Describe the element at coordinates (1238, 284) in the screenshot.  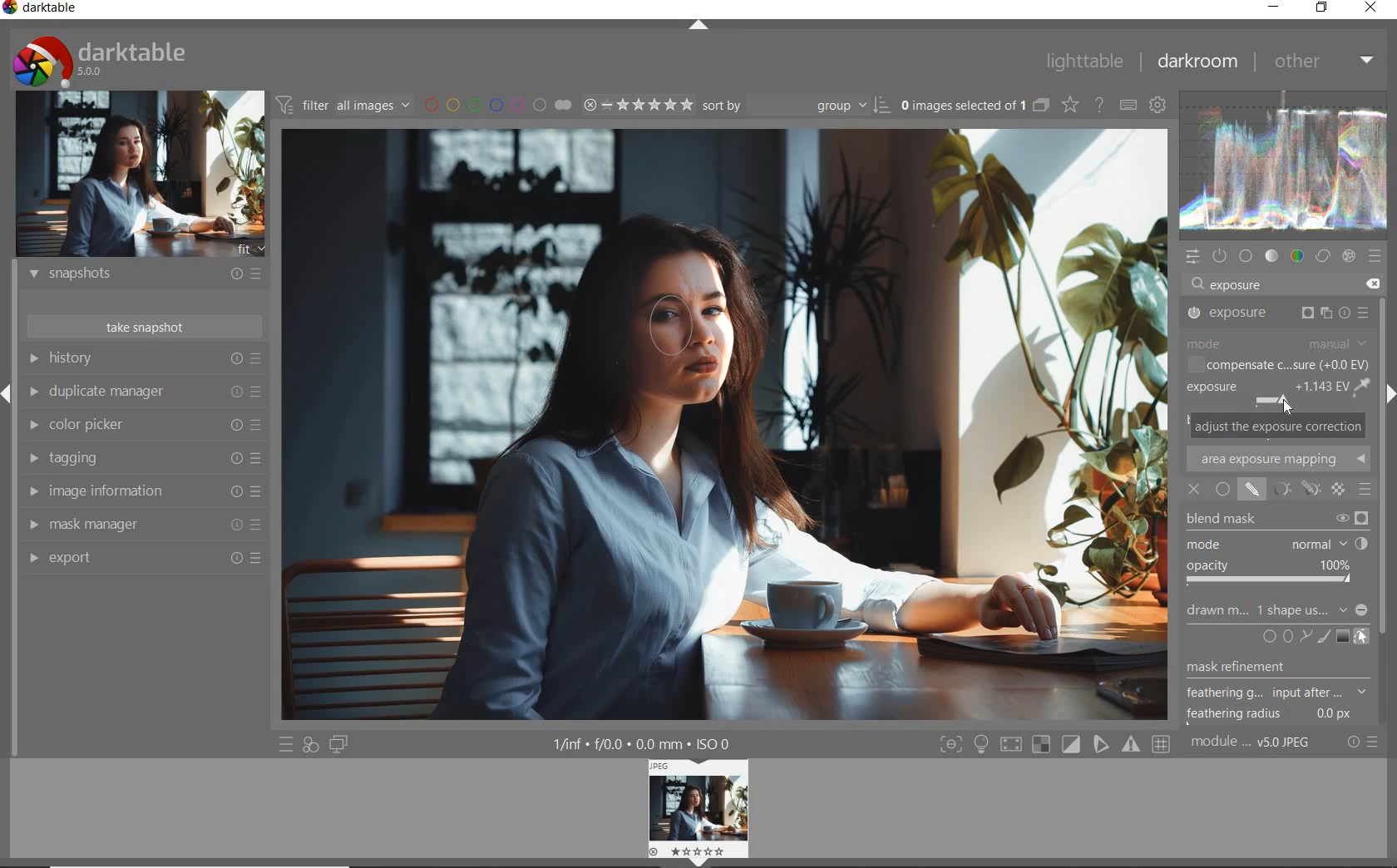
I see `exposure` at that location.